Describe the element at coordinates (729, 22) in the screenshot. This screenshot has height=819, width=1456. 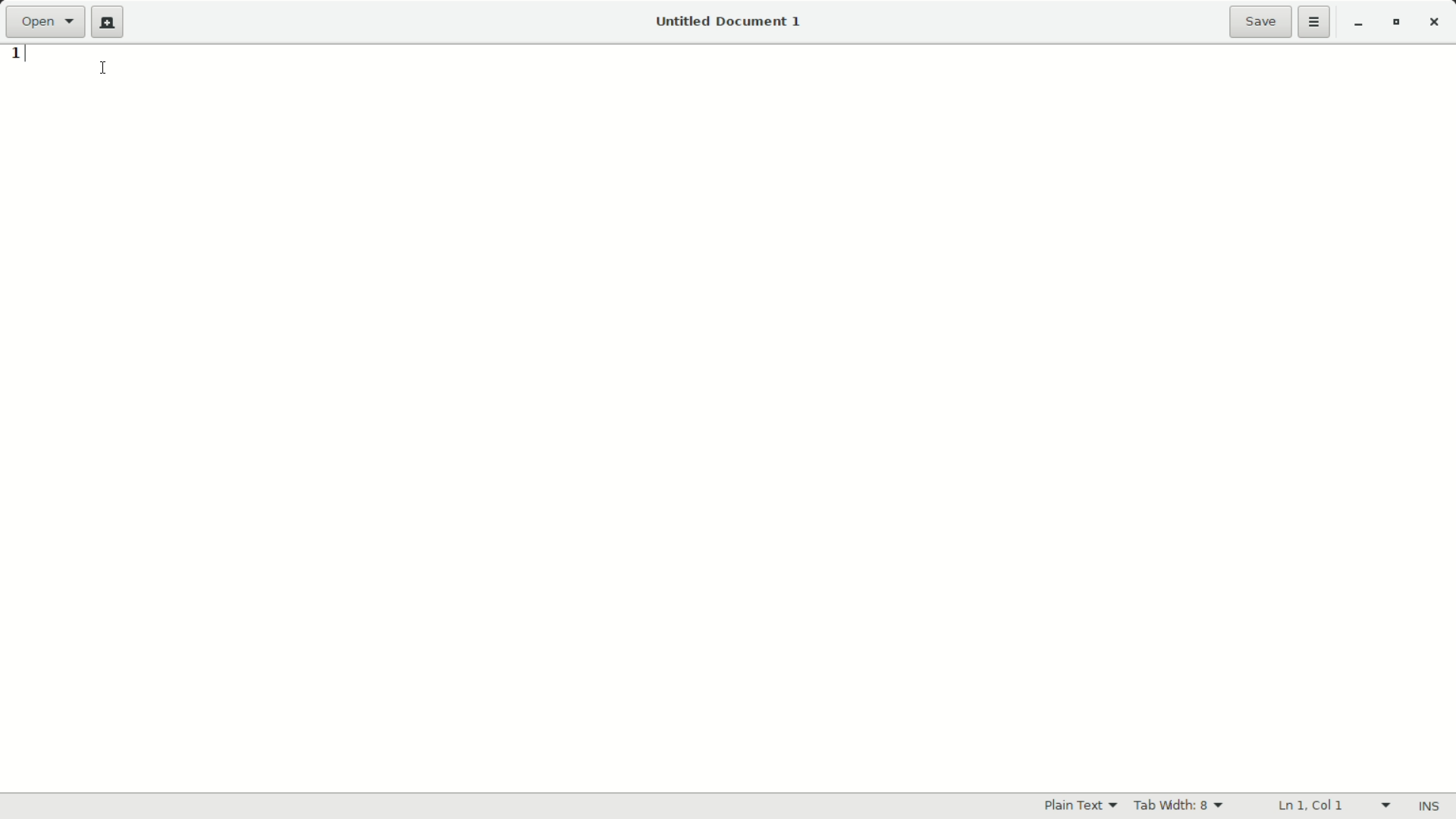
I see `Untitled Document 1` at that location.